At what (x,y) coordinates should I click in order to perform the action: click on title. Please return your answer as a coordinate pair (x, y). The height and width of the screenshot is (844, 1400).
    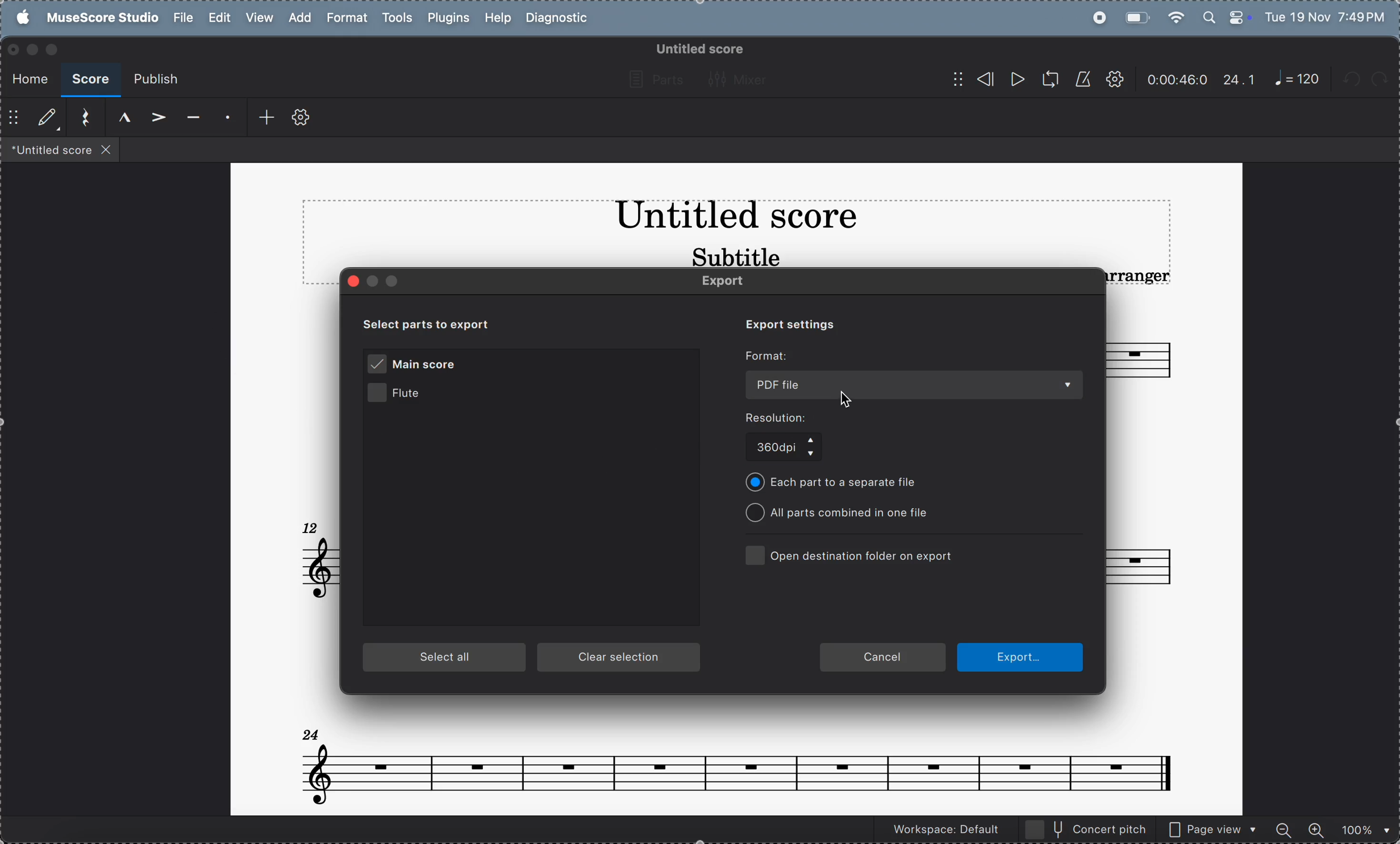
    Looking at the image, I should click on (735, 218).